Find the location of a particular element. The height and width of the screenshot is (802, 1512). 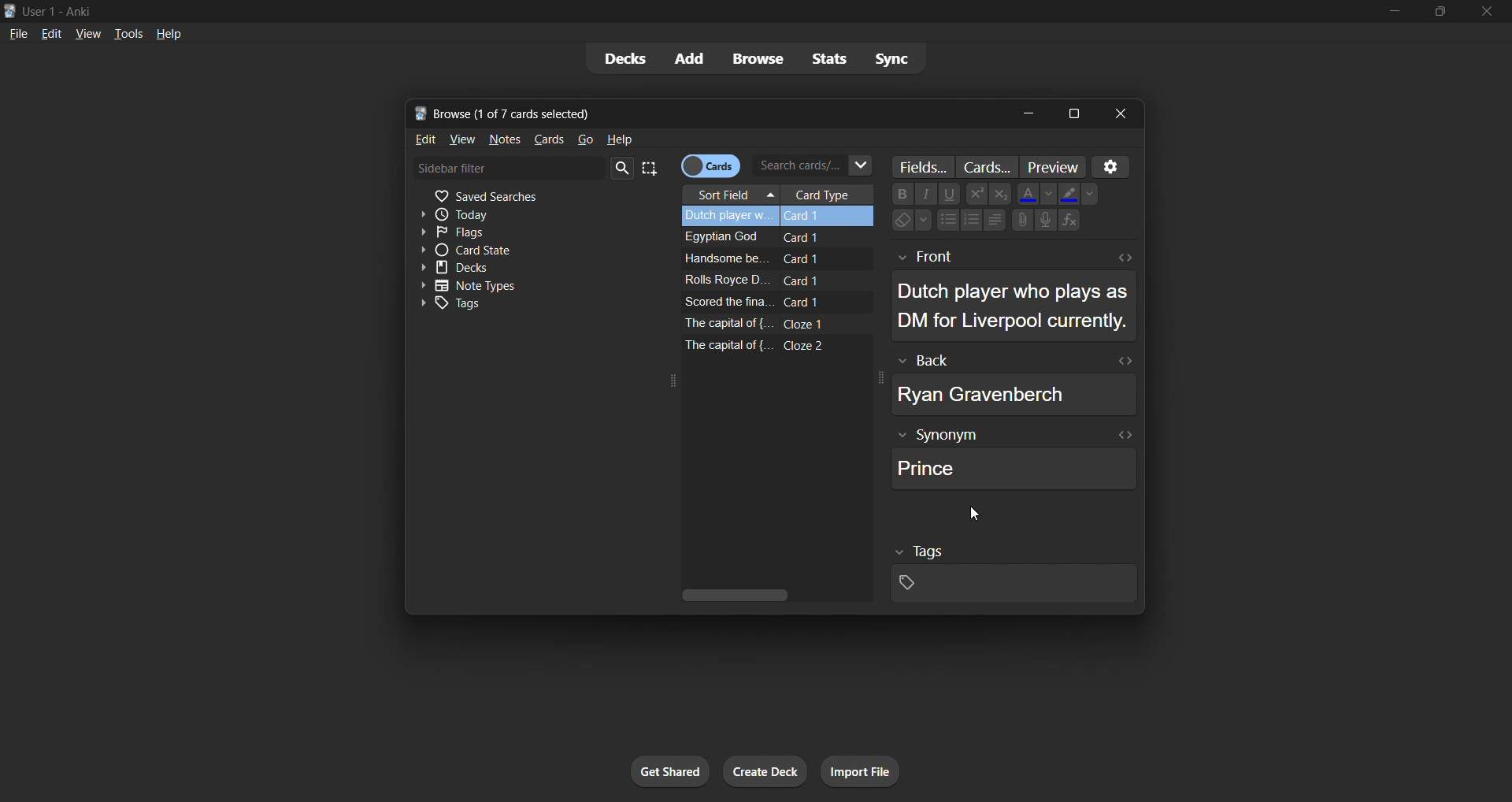

customize fields is located at coordinates (925, 166).